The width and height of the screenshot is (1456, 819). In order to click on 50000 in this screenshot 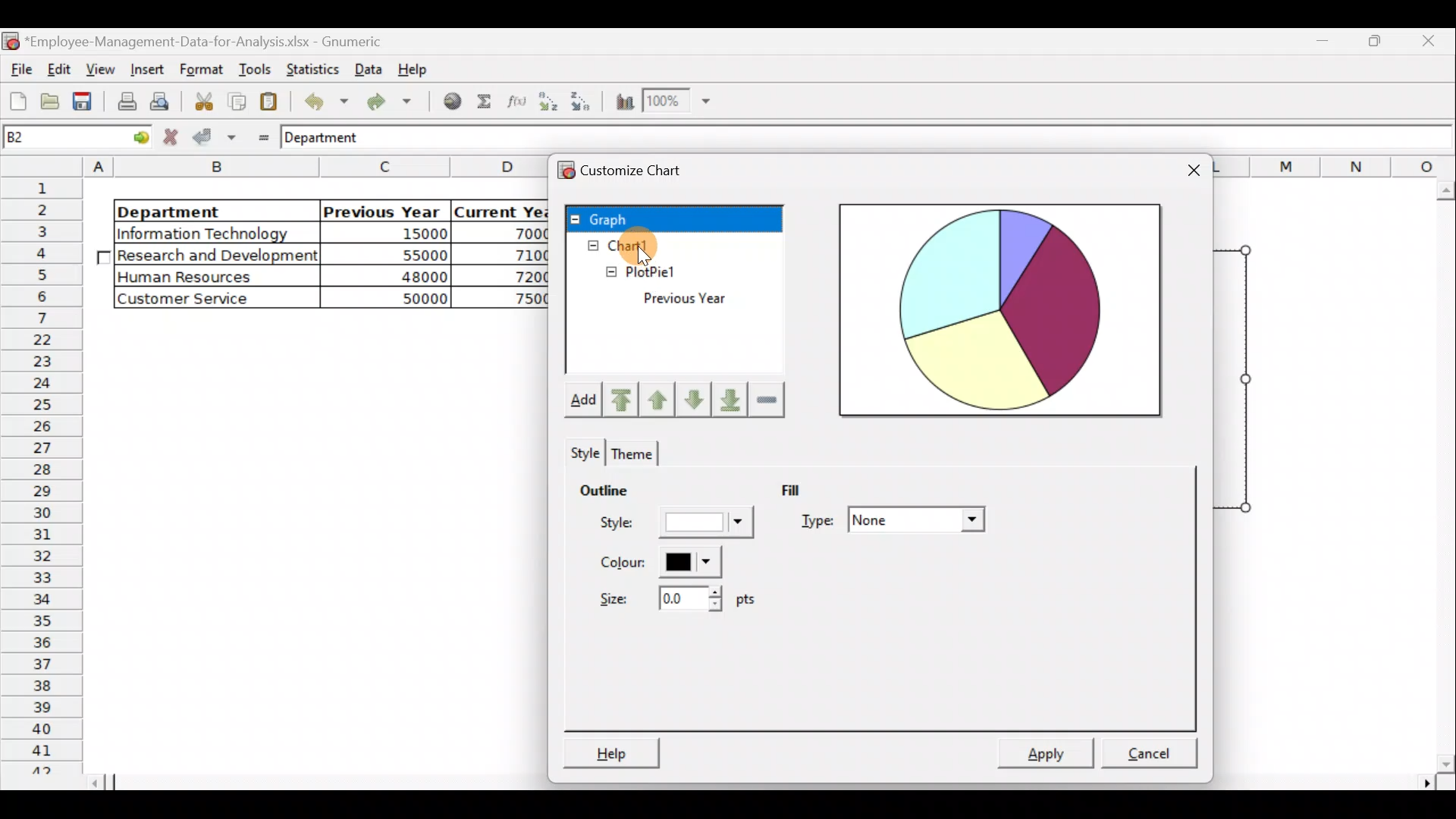, I will do `click(402, 297)`.